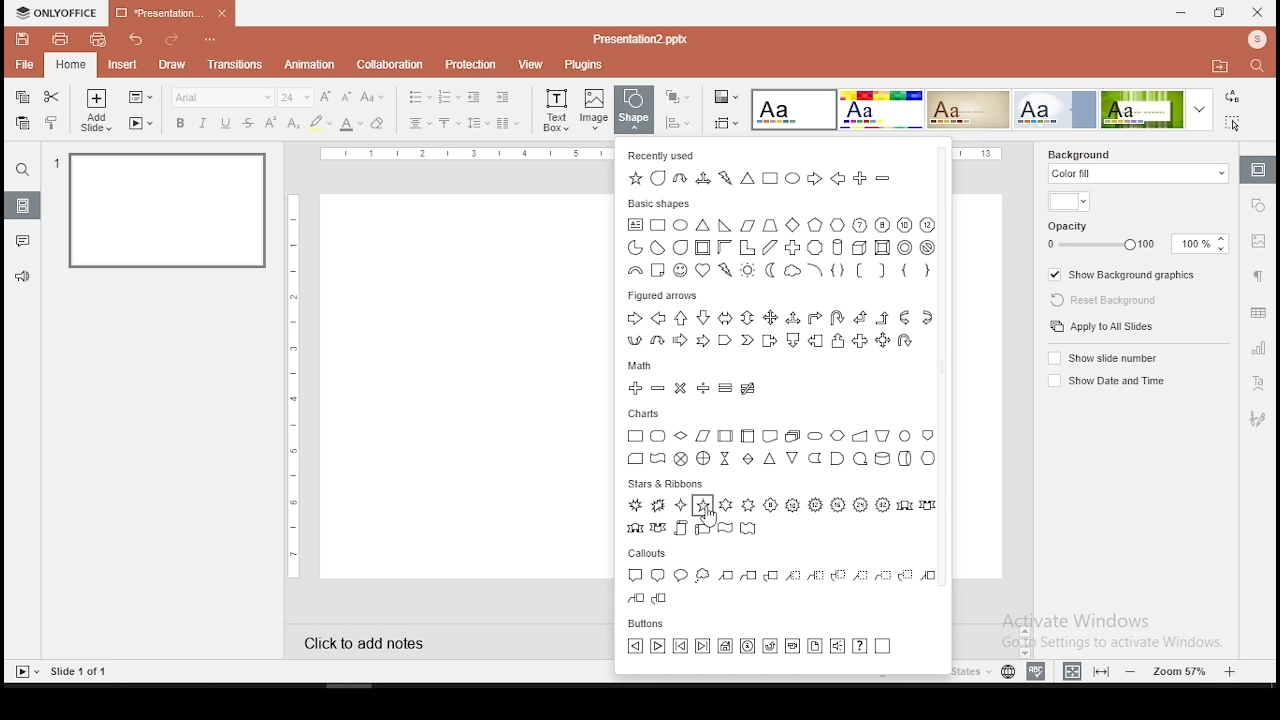  I want to click on theme, so click(1055, 109).